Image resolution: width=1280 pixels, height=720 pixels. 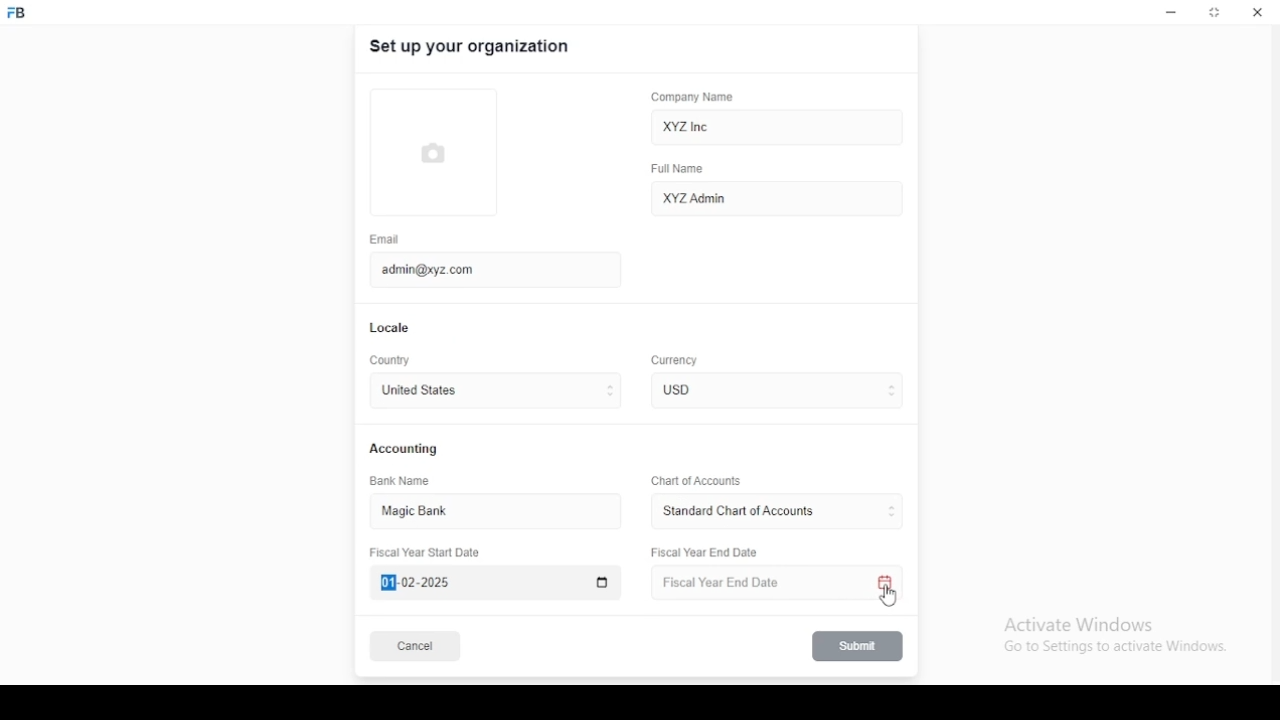 What do you see at coordinates (771, 583) in the screenshot?
I see `Fiscal Year End Date` at bounding box center [771, 583].